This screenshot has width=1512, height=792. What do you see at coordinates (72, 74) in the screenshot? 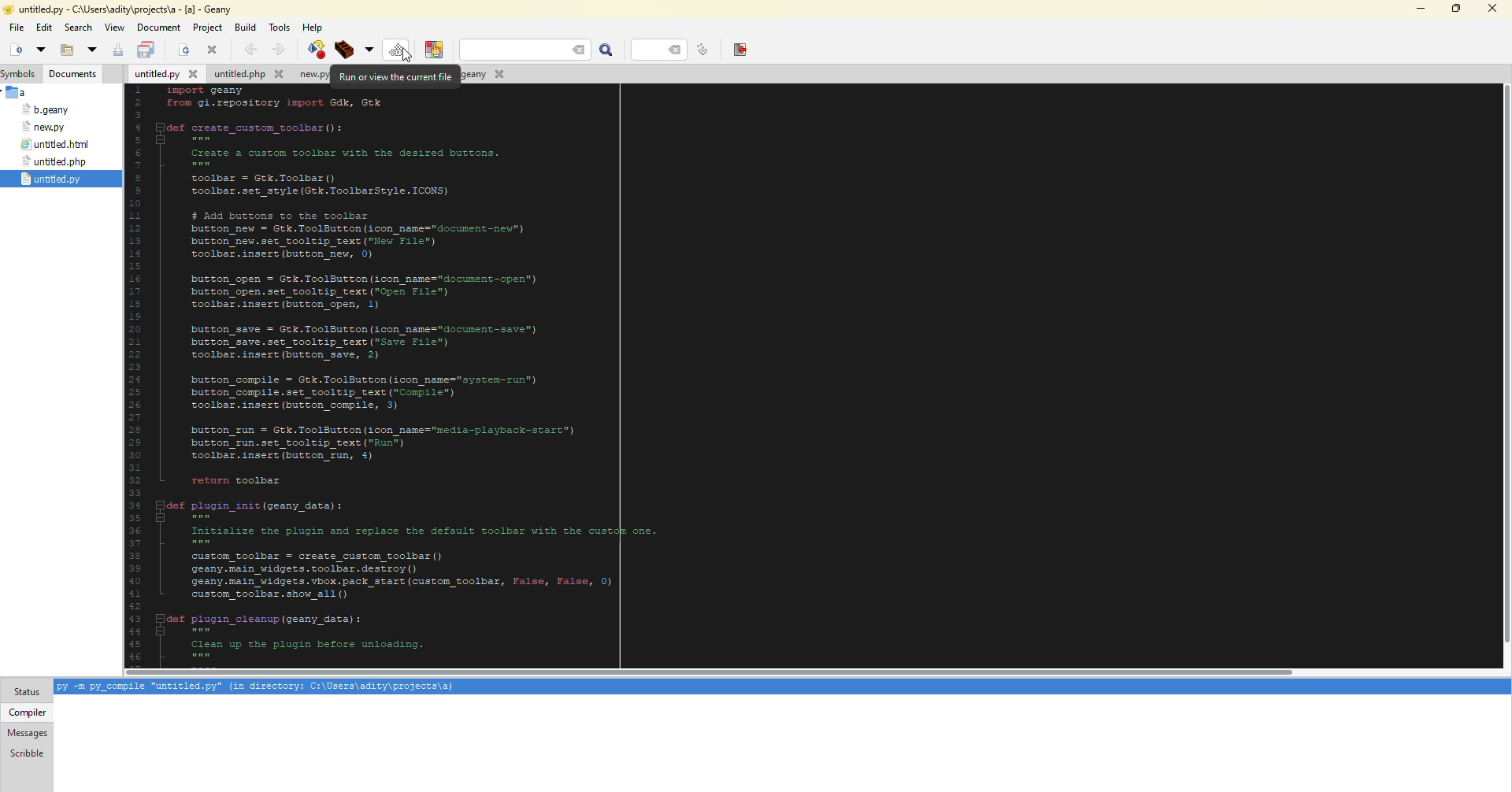
I see `documents` at bounding box center [72, 74].